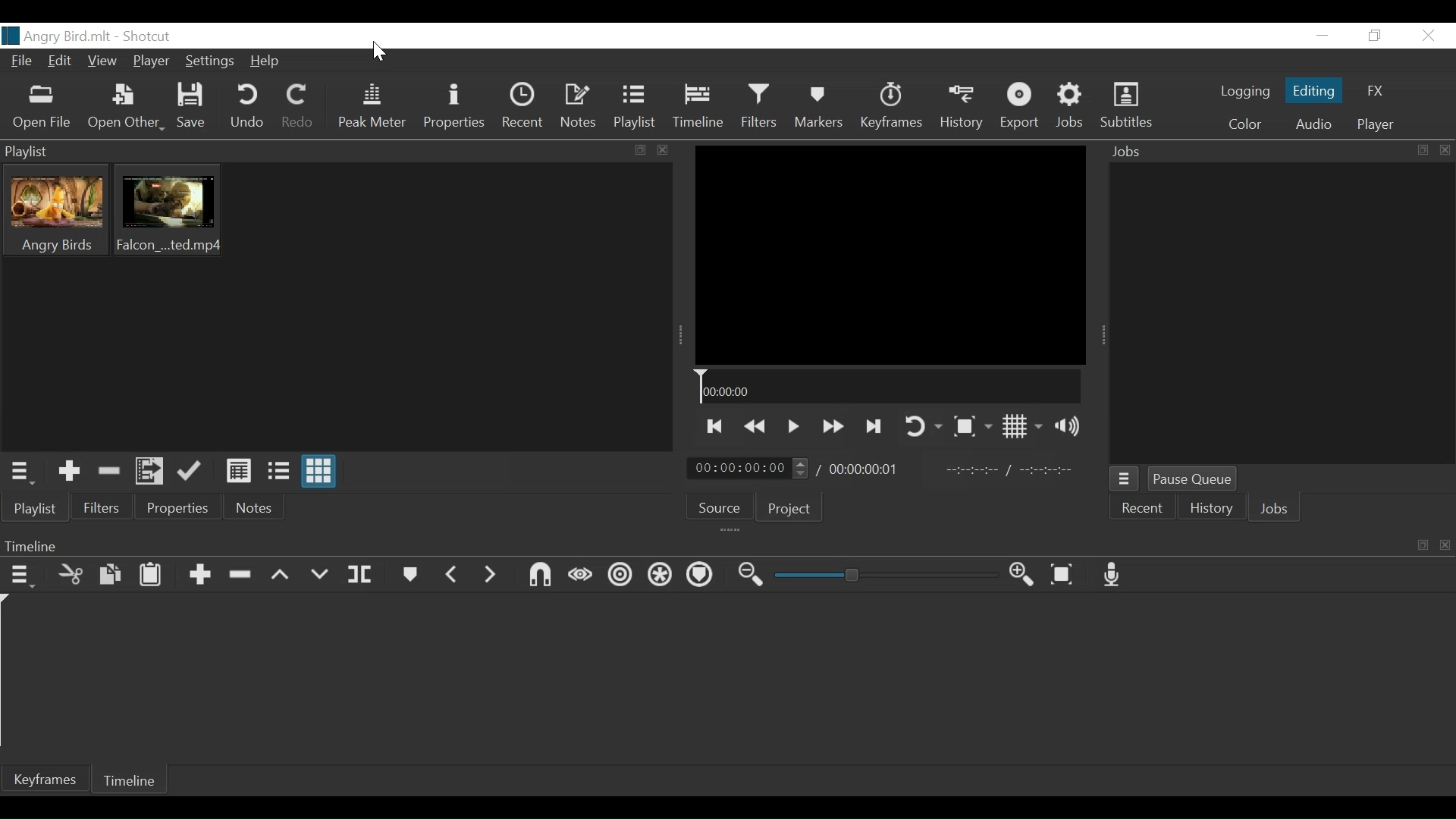  What do you see at coordinates (240, 575) in the screenshot?
I see `Ripple Delete` at bounding box center [240, 575].